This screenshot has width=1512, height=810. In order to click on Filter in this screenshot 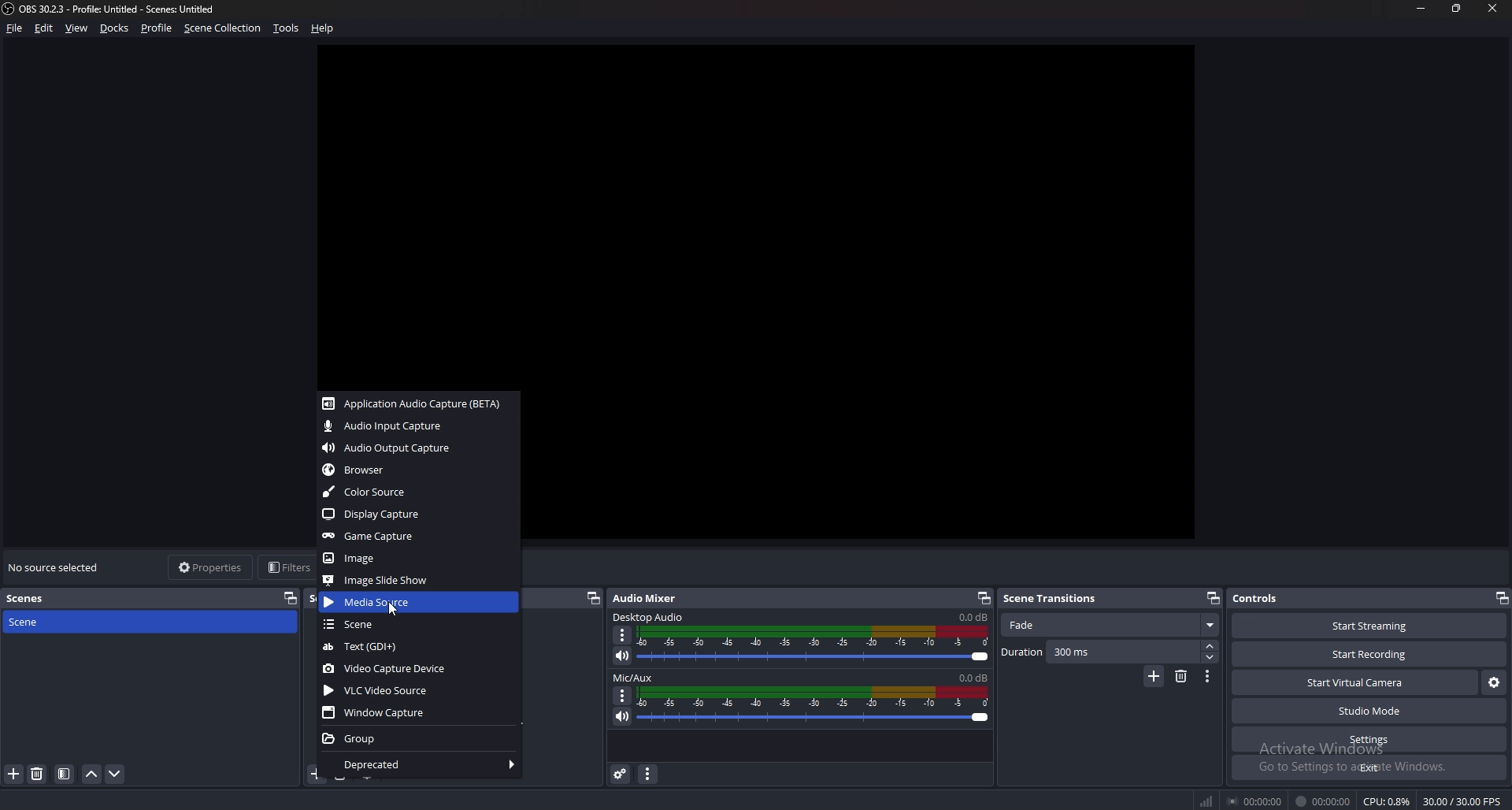, I will do `click(65, 775)`.